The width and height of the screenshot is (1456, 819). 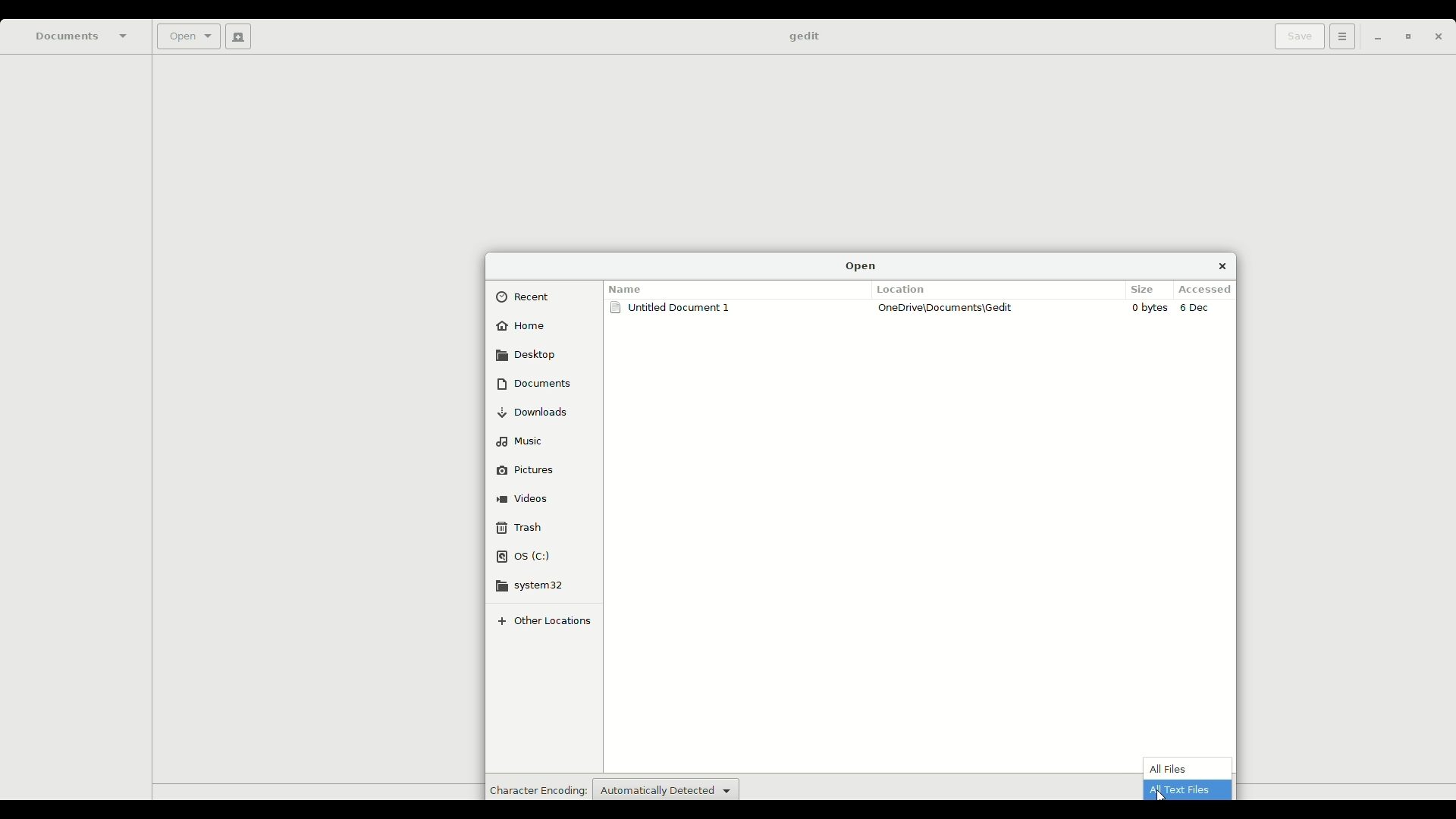 I want to click on OS, so click(x=526, y=557).